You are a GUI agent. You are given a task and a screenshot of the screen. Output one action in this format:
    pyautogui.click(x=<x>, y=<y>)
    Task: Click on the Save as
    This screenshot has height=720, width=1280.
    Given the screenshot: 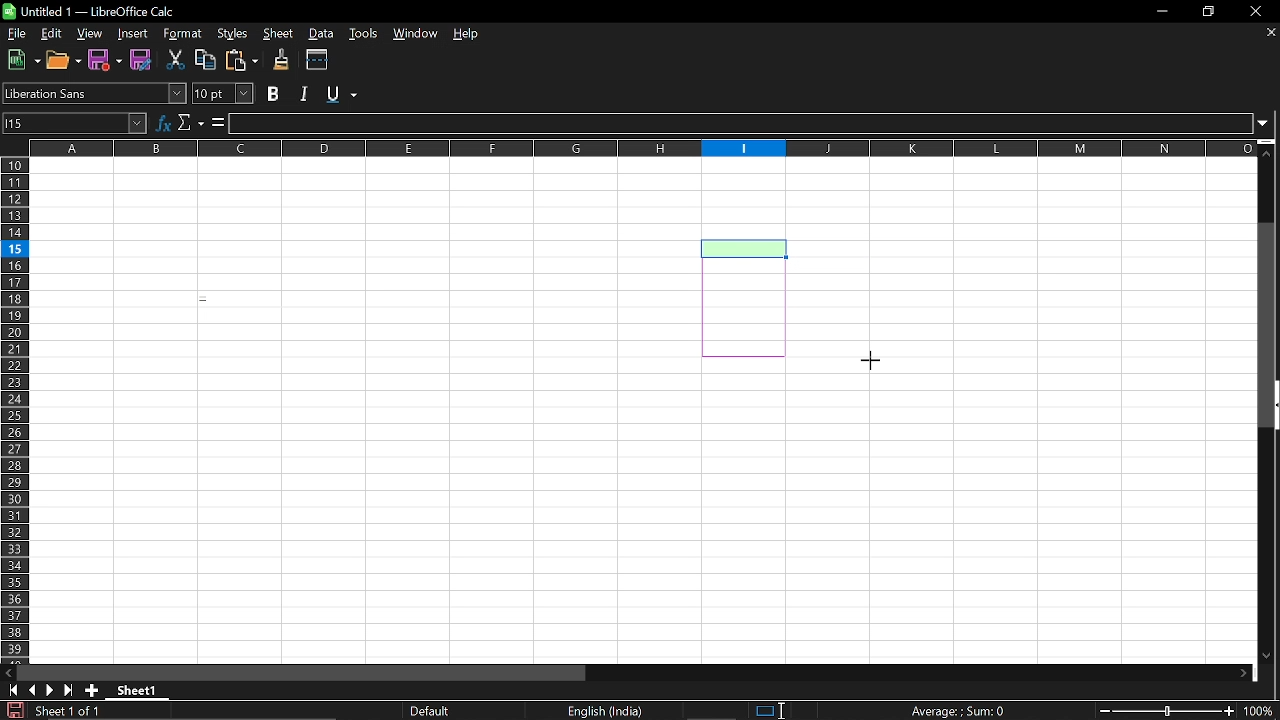 What is the action you would take?
    pyautogui.click(x=105, y=60)
    